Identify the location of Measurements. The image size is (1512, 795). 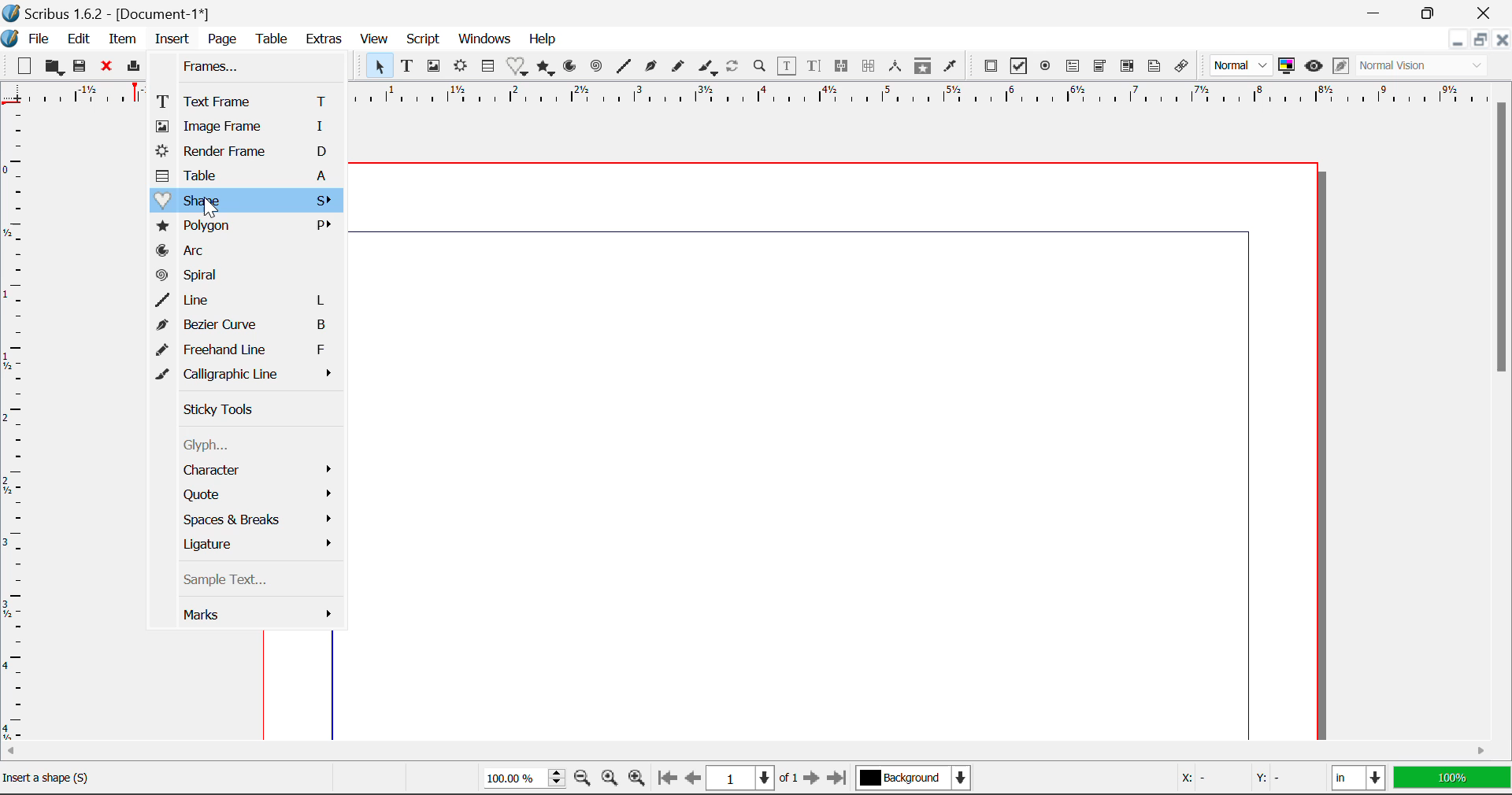
(897, 67).